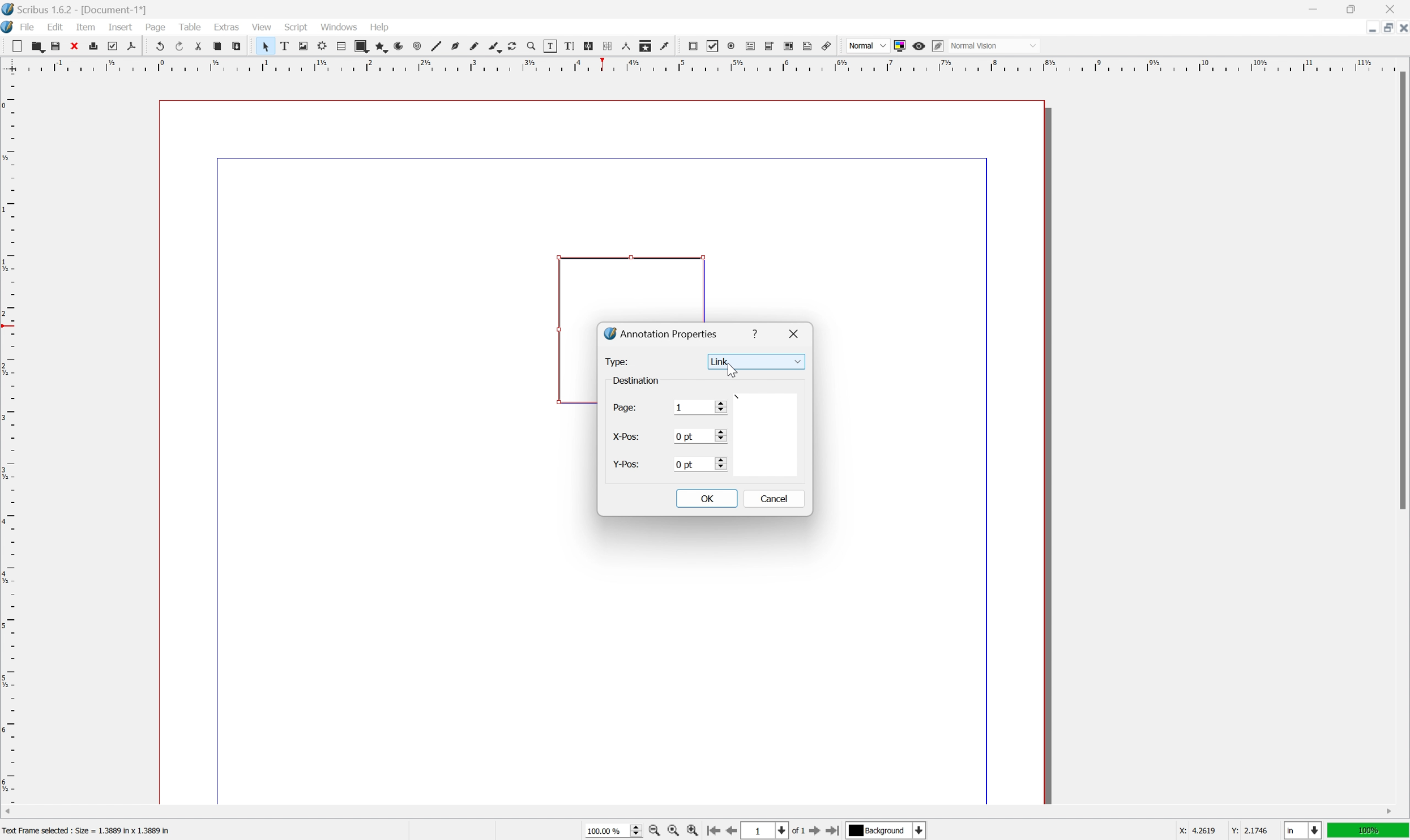 The height and width of the screenshot is (840, 1410). Describe the element at coordinates (1312, 8) in the screenshot. I see `minimize` at that location.